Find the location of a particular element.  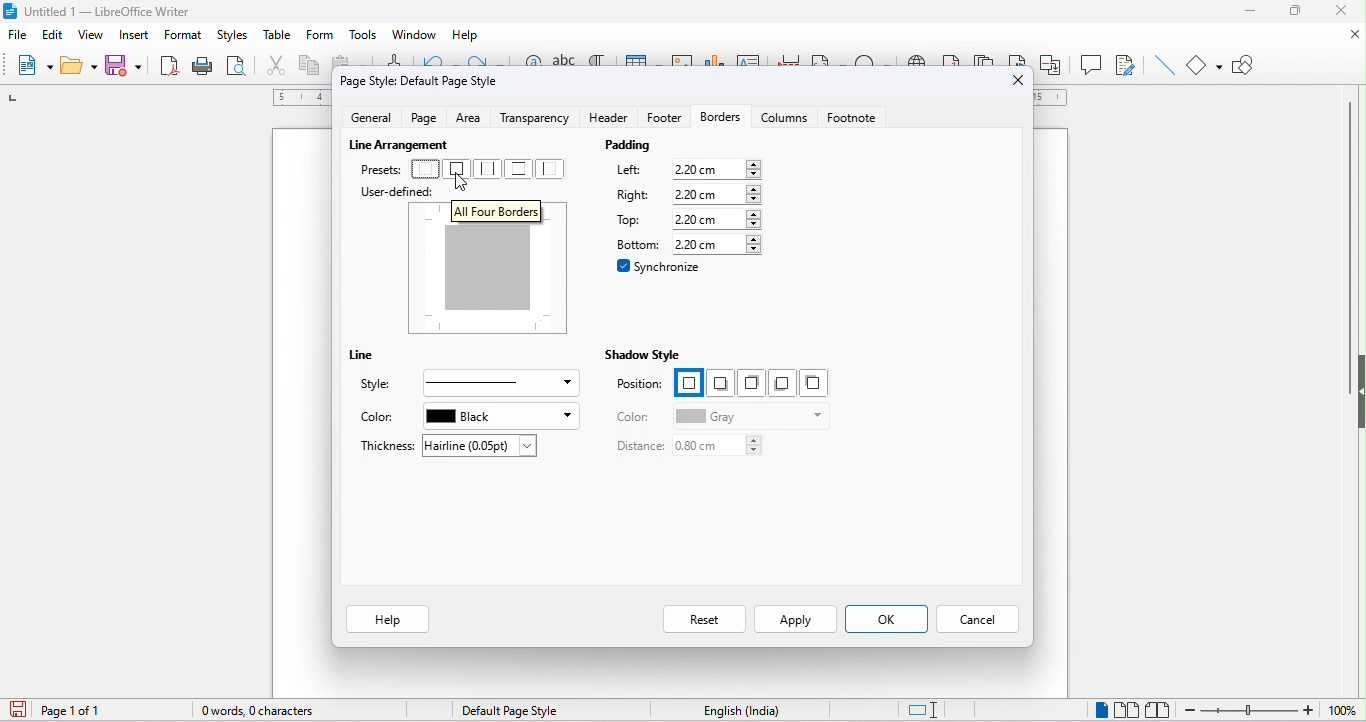

single page view is located at coordinates (1098, 709).